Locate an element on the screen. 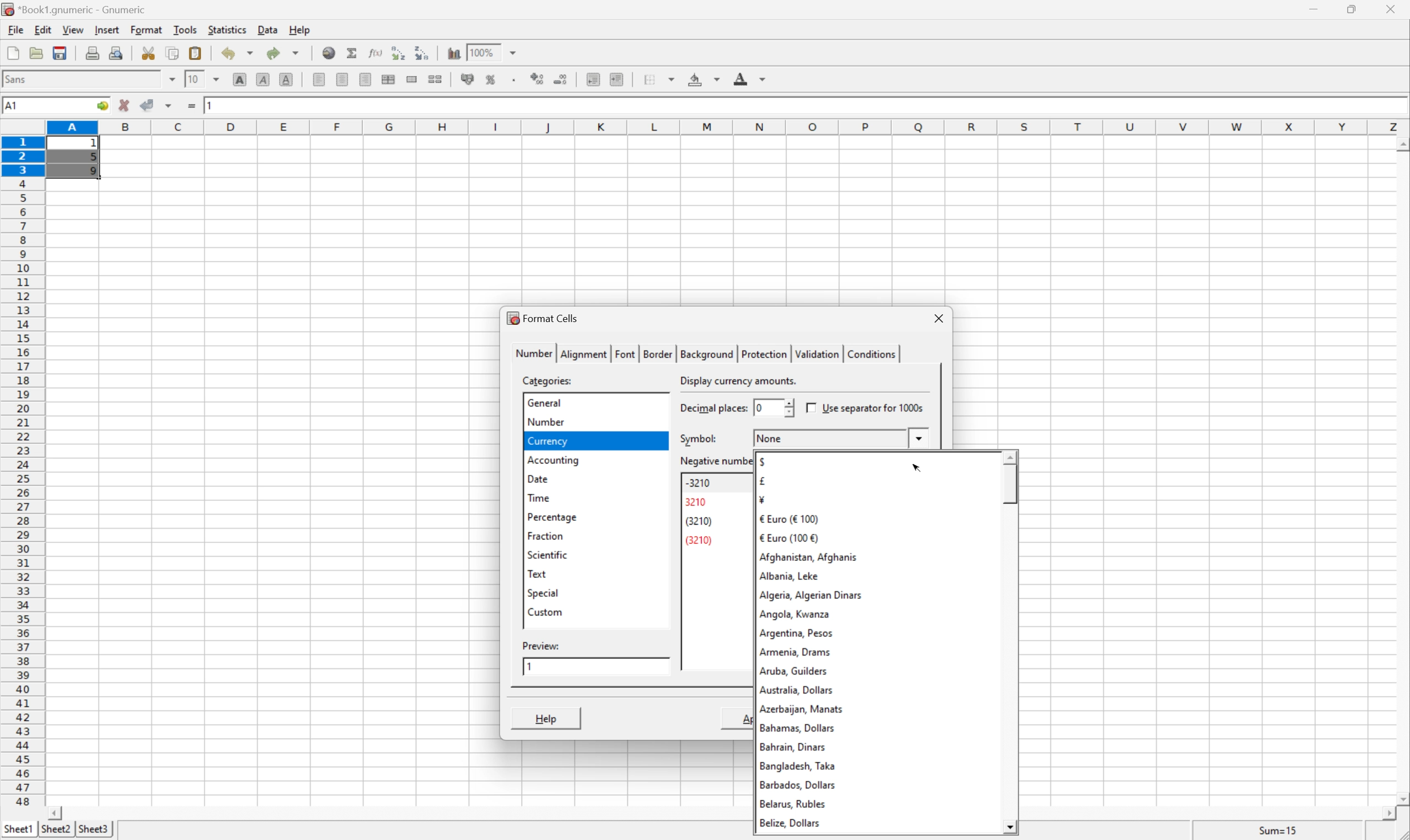  categories is located at coordinates (549, 380).